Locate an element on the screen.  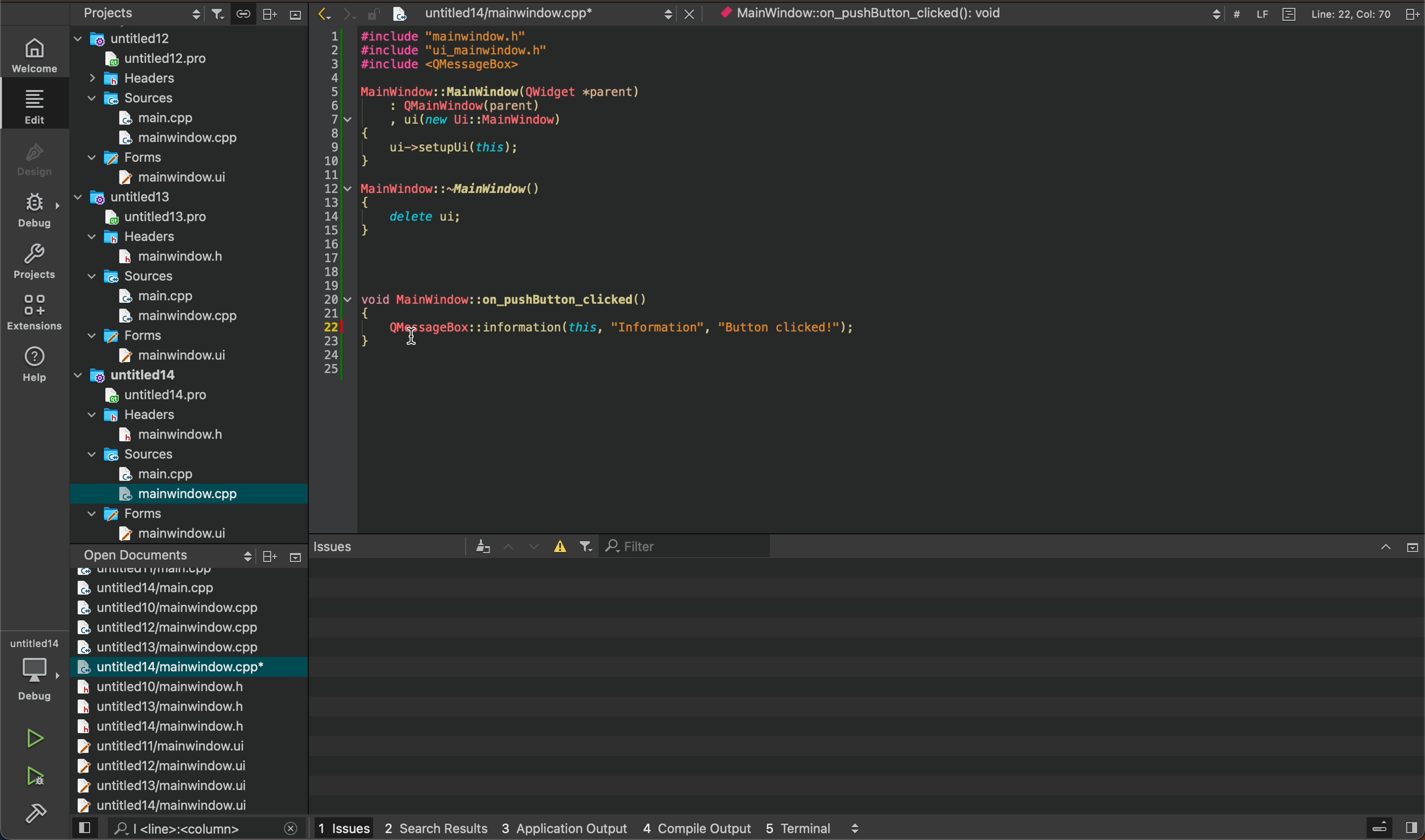
copy is located at coordinates (242, 14).